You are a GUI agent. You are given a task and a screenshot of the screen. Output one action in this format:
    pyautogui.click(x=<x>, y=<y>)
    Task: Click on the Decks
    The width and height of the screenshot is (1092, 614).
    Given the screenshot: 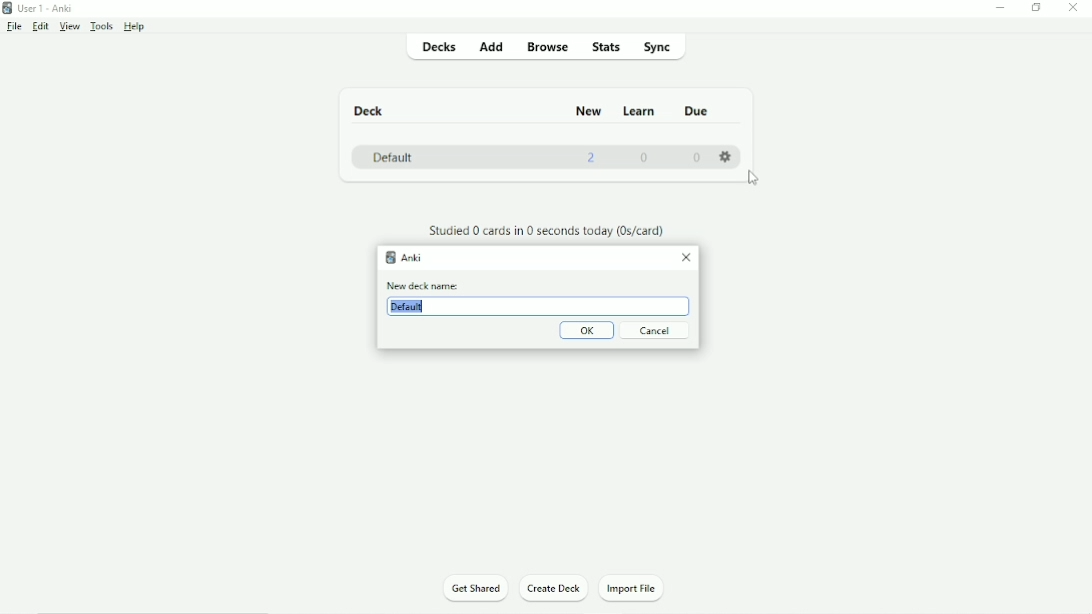 What is the action you would take?
    pyautogui.click(x=437, y=48)
    